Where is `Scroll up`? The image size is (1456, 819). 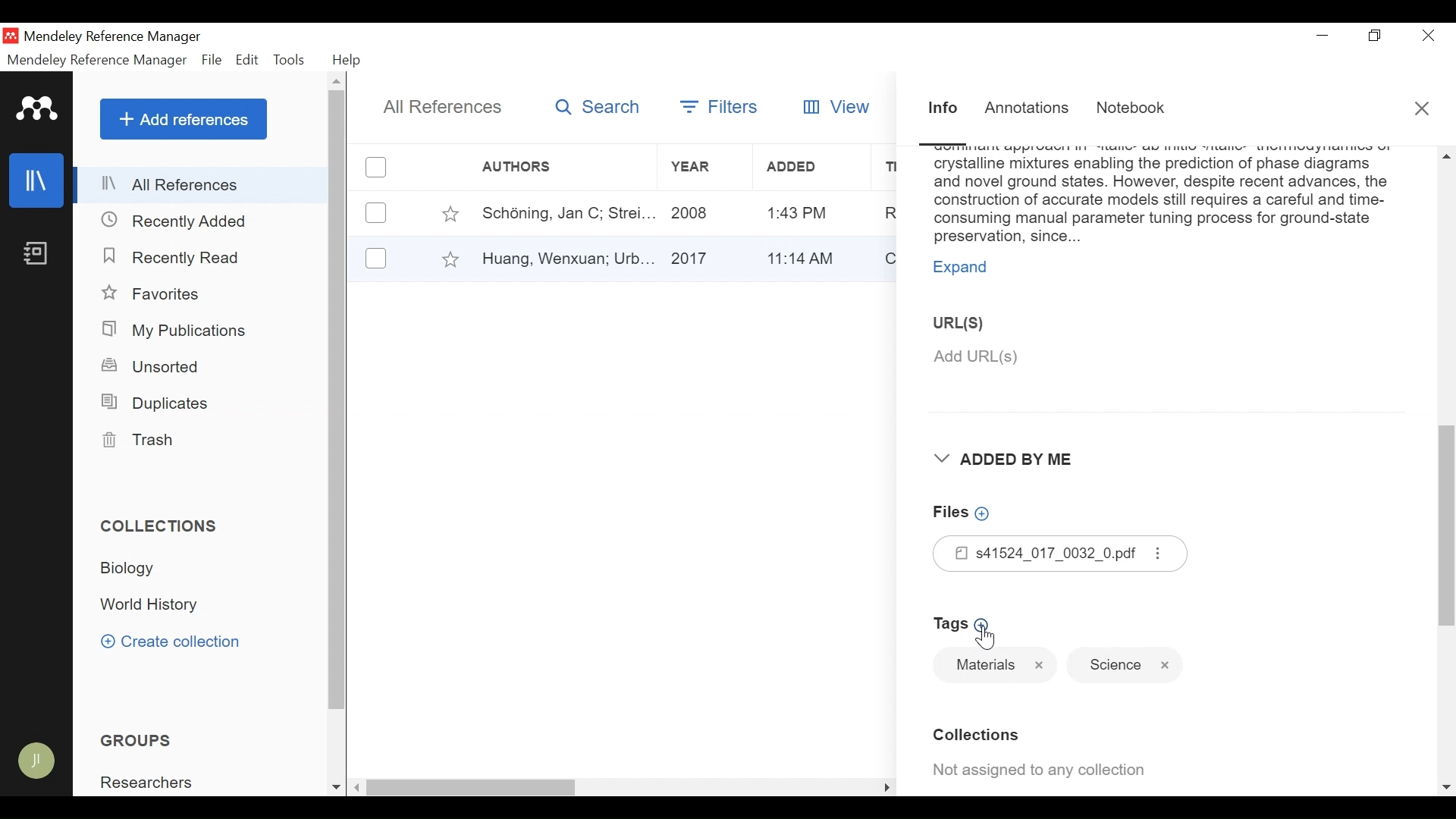 Scroll up is located at coordinates (1445, 155).